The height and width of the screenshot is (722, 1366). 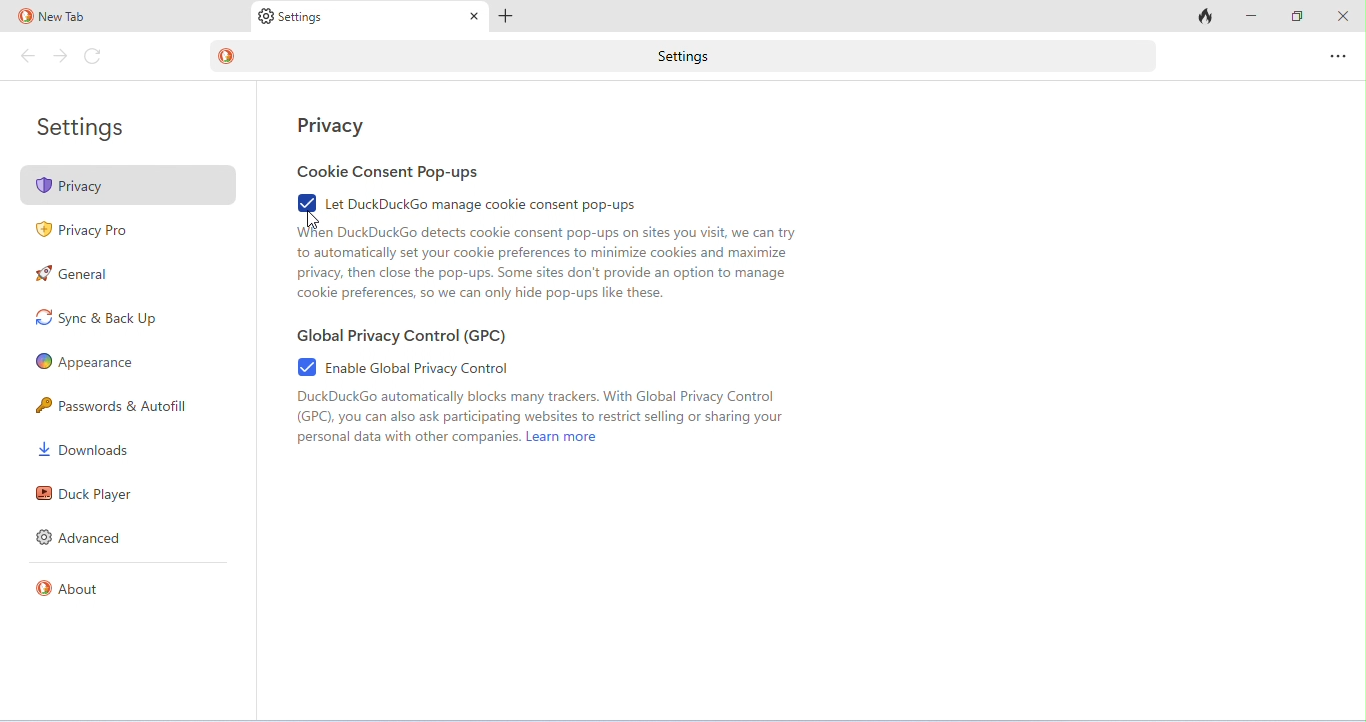 What do you see at coordinates (116, 405) in the screenshot?
I see `passwords and autofills` at bounding box center [116, 405].